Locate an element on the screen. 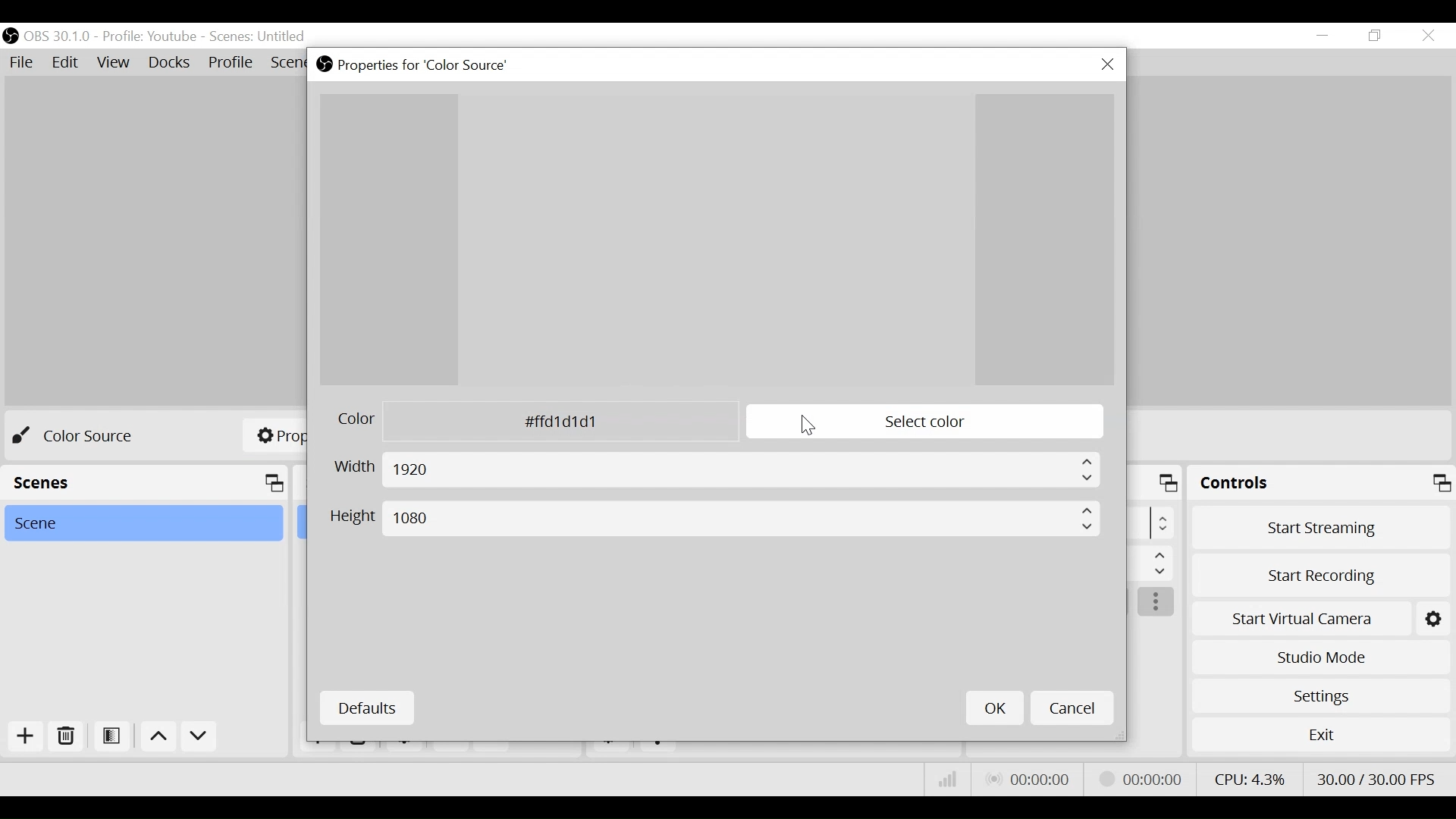 This screenshot has width=1456, height=819. Live Status is located at coordinates (1030, 777).